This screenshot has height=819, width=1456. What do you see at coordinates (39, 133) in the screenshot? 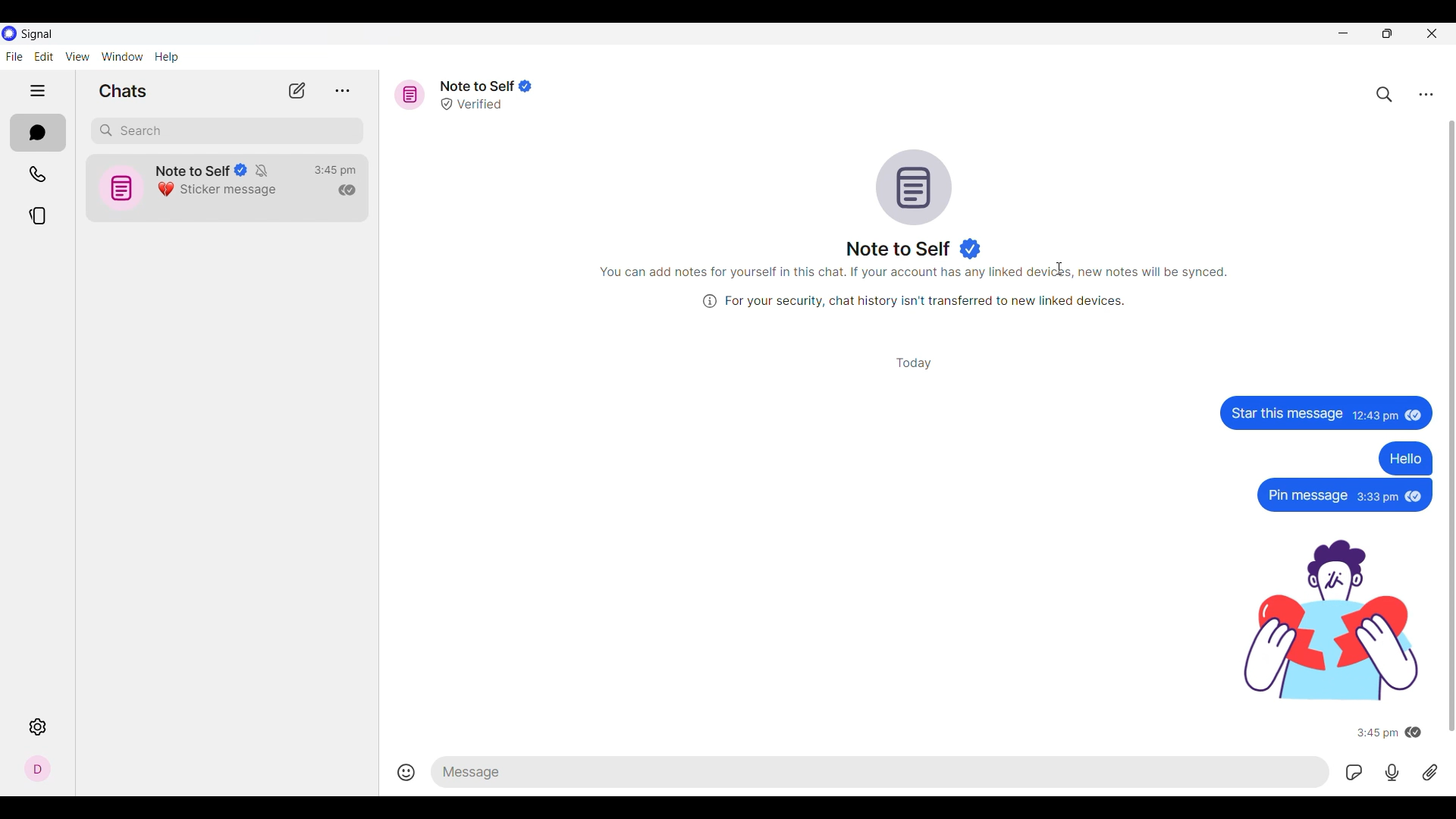
I see `Chats, current section highlighted` at bounding box center [39, 133].